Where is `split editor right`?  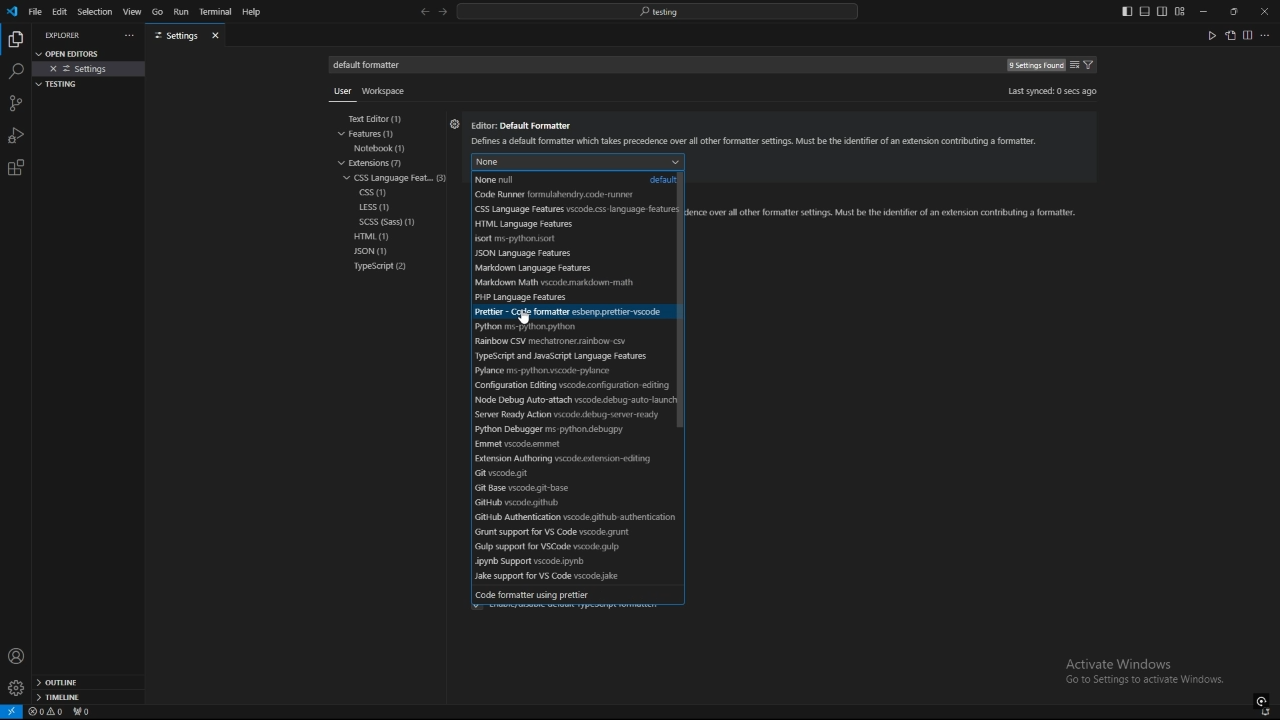
split editor right is located at coordinates (1248, 35).